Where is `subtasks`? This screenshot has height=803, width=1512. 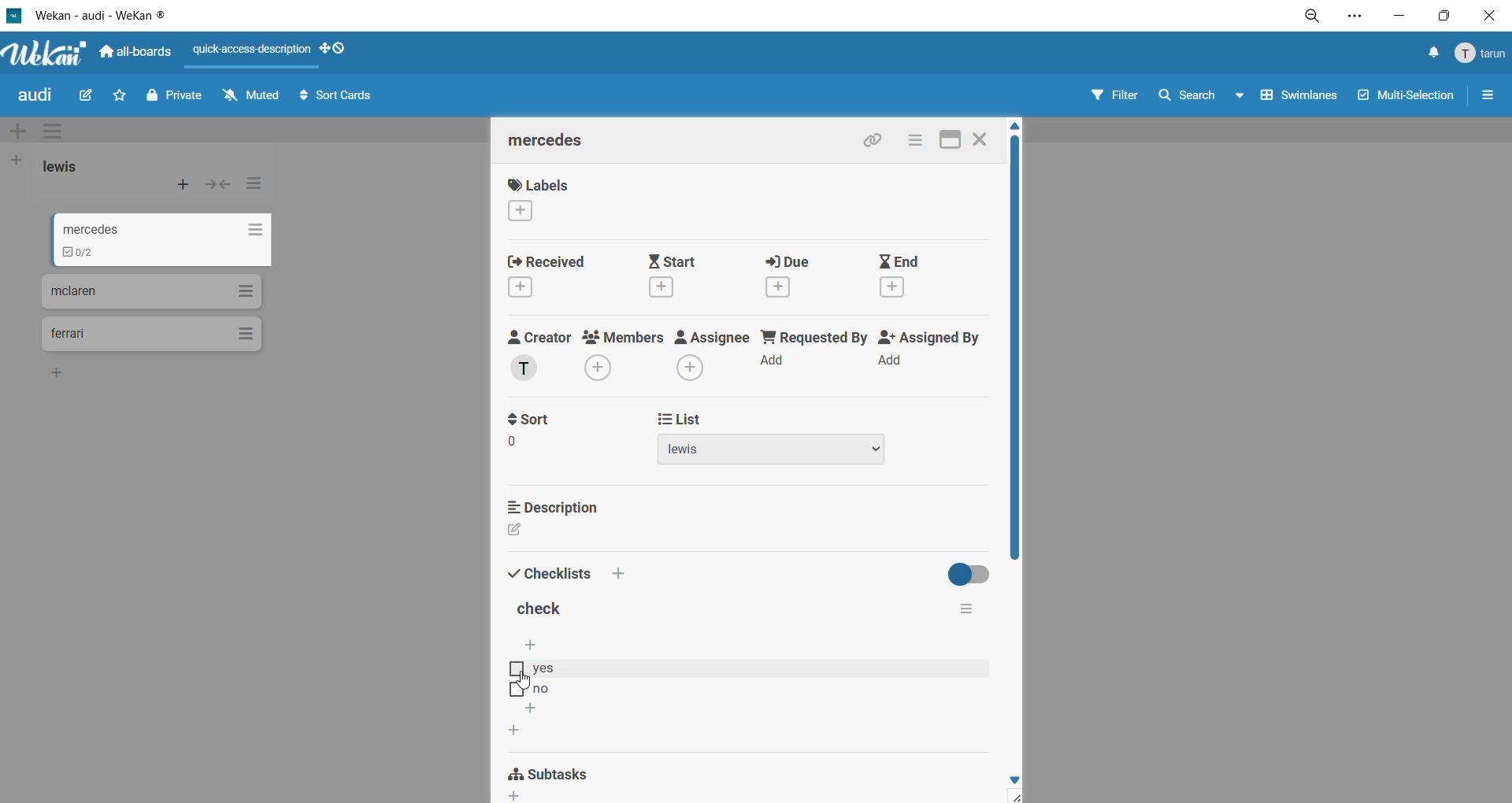
subtasks is located at coordinates (562, 781).